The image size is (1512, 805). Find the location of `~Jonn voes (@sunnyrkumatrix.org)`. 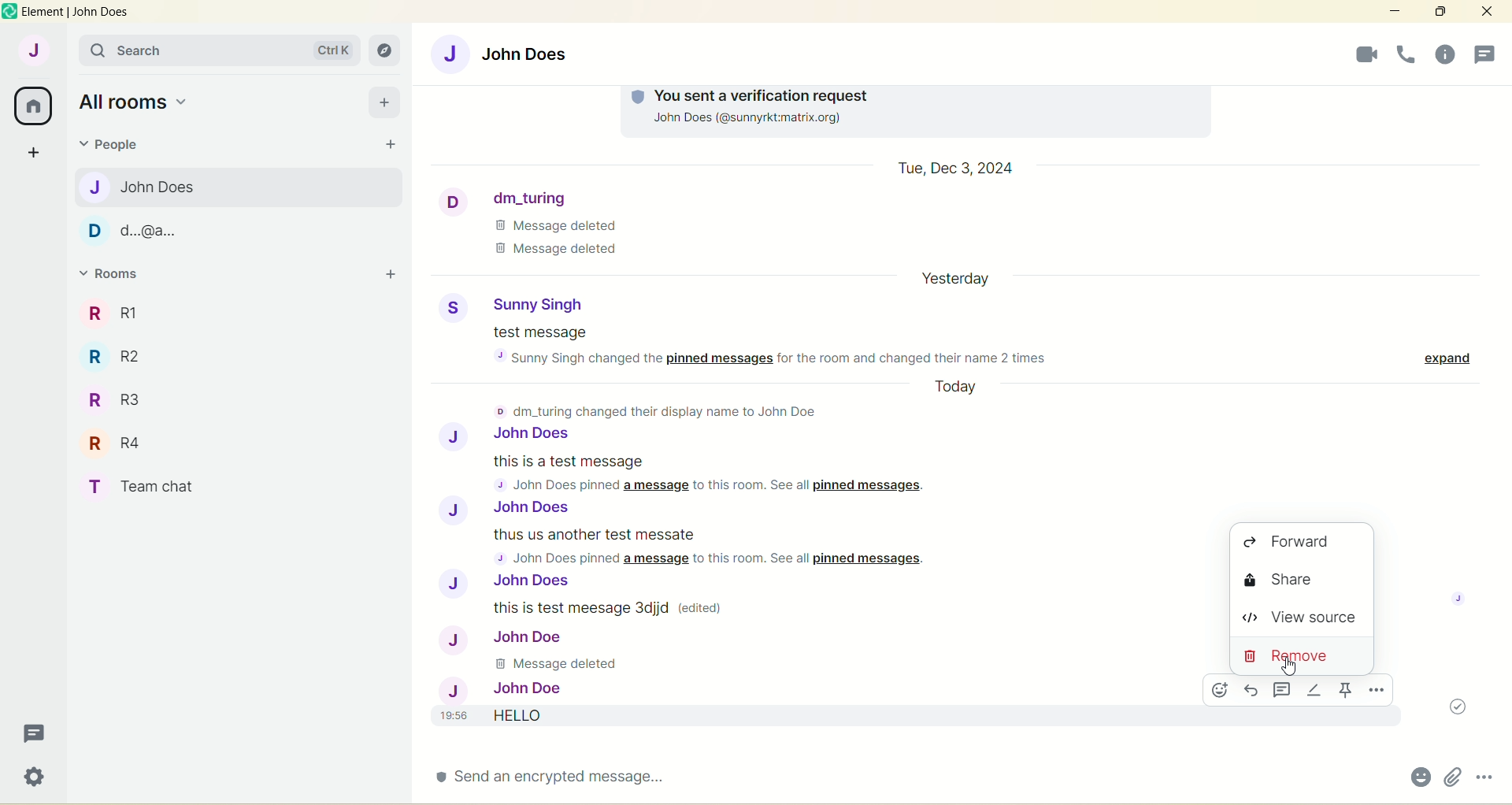

~Jonn voes (@sunnyrkumatrix.org) is located at coordinates (755, 118).